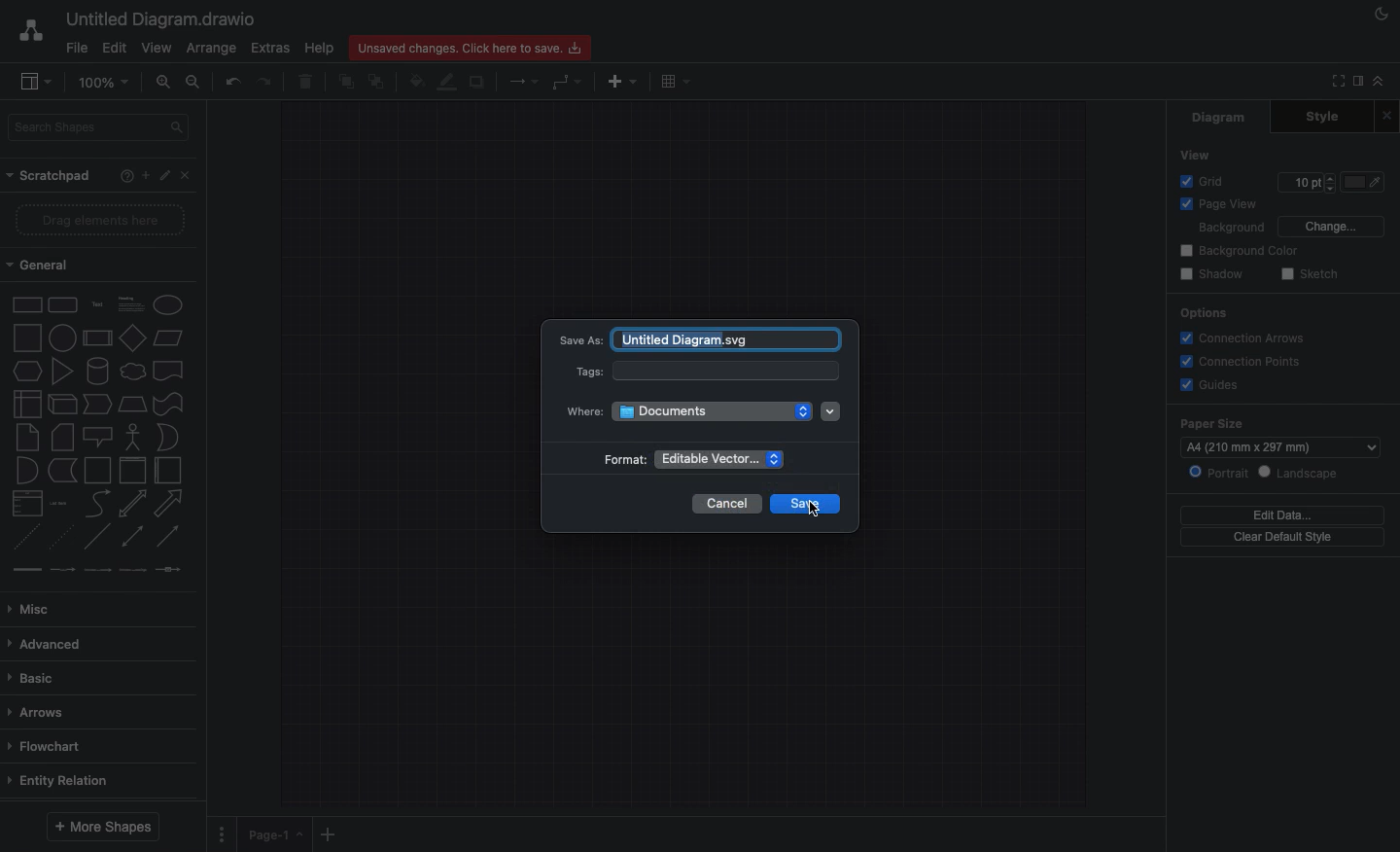  I want to click on Scratchpad, so click(49, 177).